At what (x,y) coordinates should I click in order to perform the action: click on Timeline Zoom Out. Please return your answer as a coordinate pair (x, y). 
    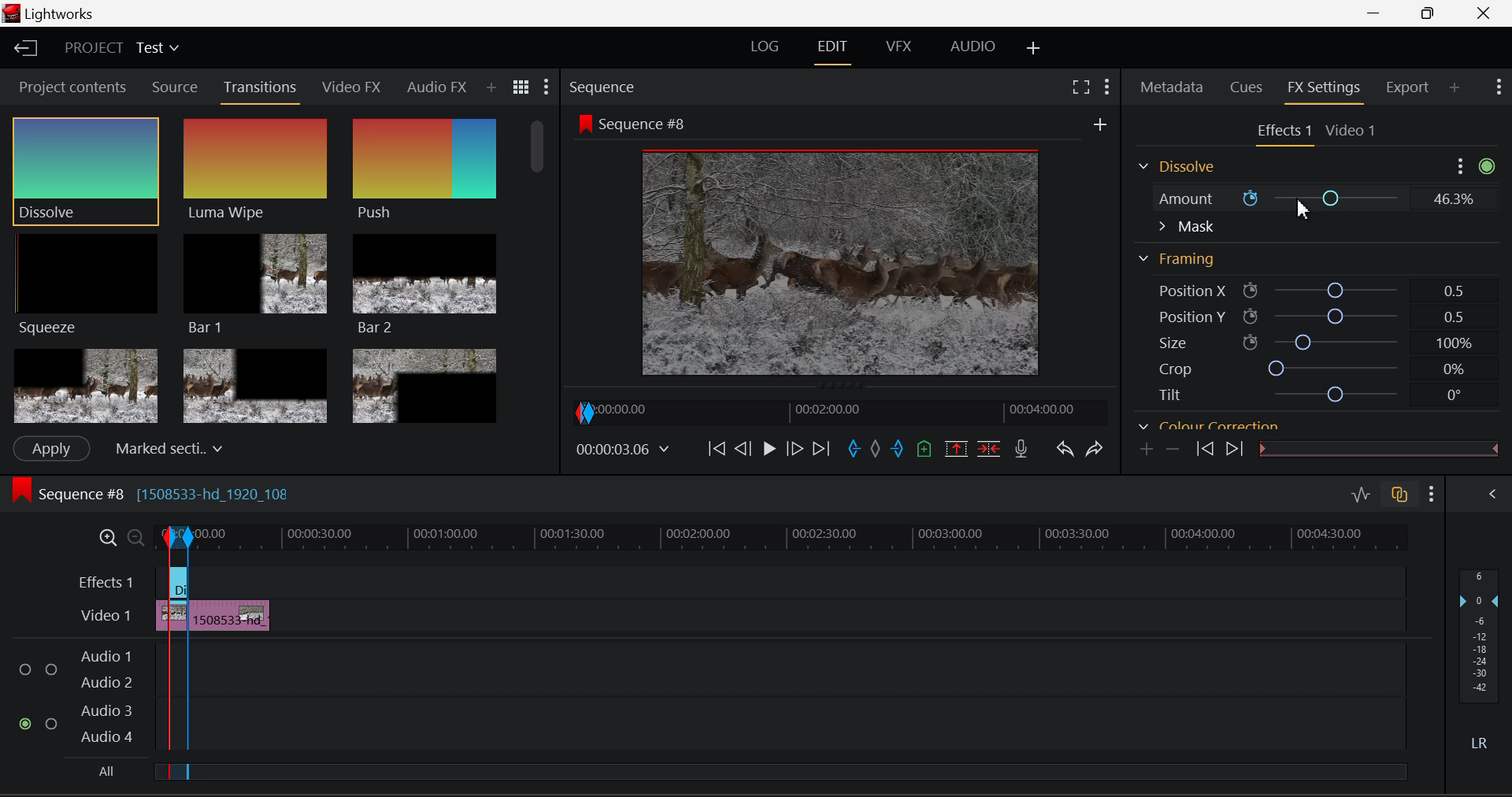
    Looking at the image, I should click on (129, 535).